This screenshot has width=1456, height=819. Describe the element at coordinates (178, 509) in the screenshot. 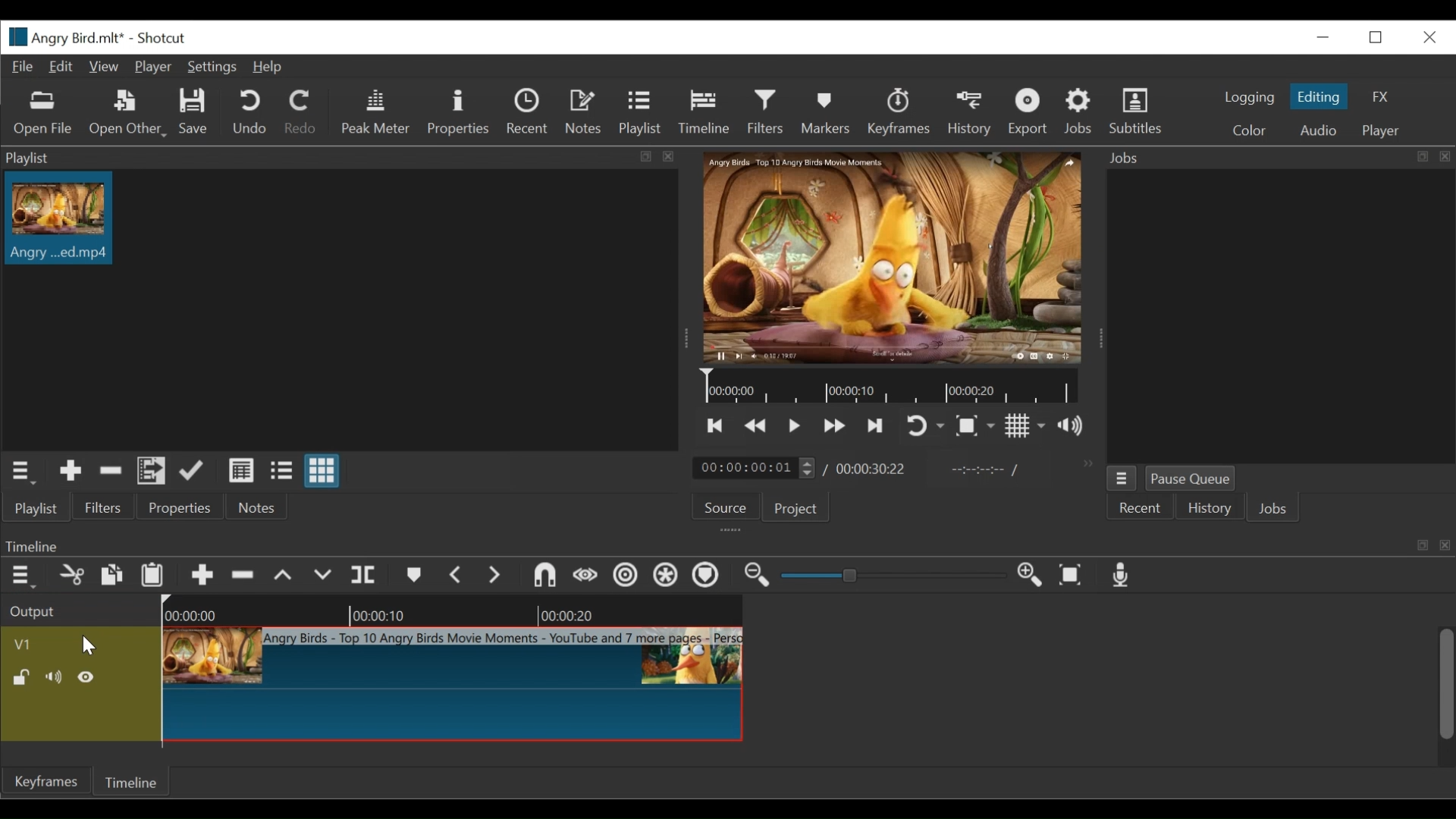

I see `Properties` at that location.